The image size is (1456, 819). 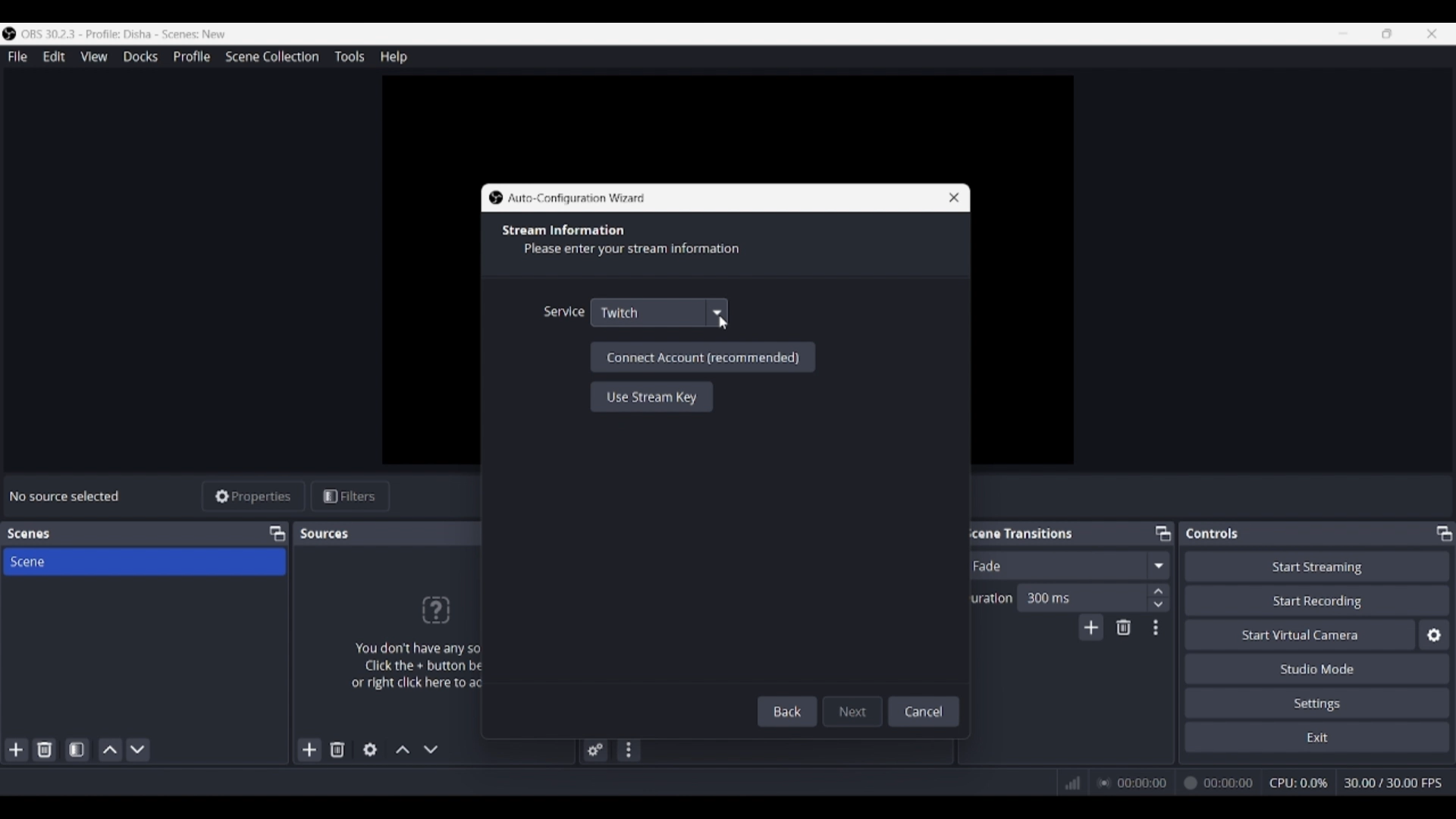 What do you see at coordinates (1299, 783) in the screenshot?
I see `CPU` at bounding box center [1299, 783].